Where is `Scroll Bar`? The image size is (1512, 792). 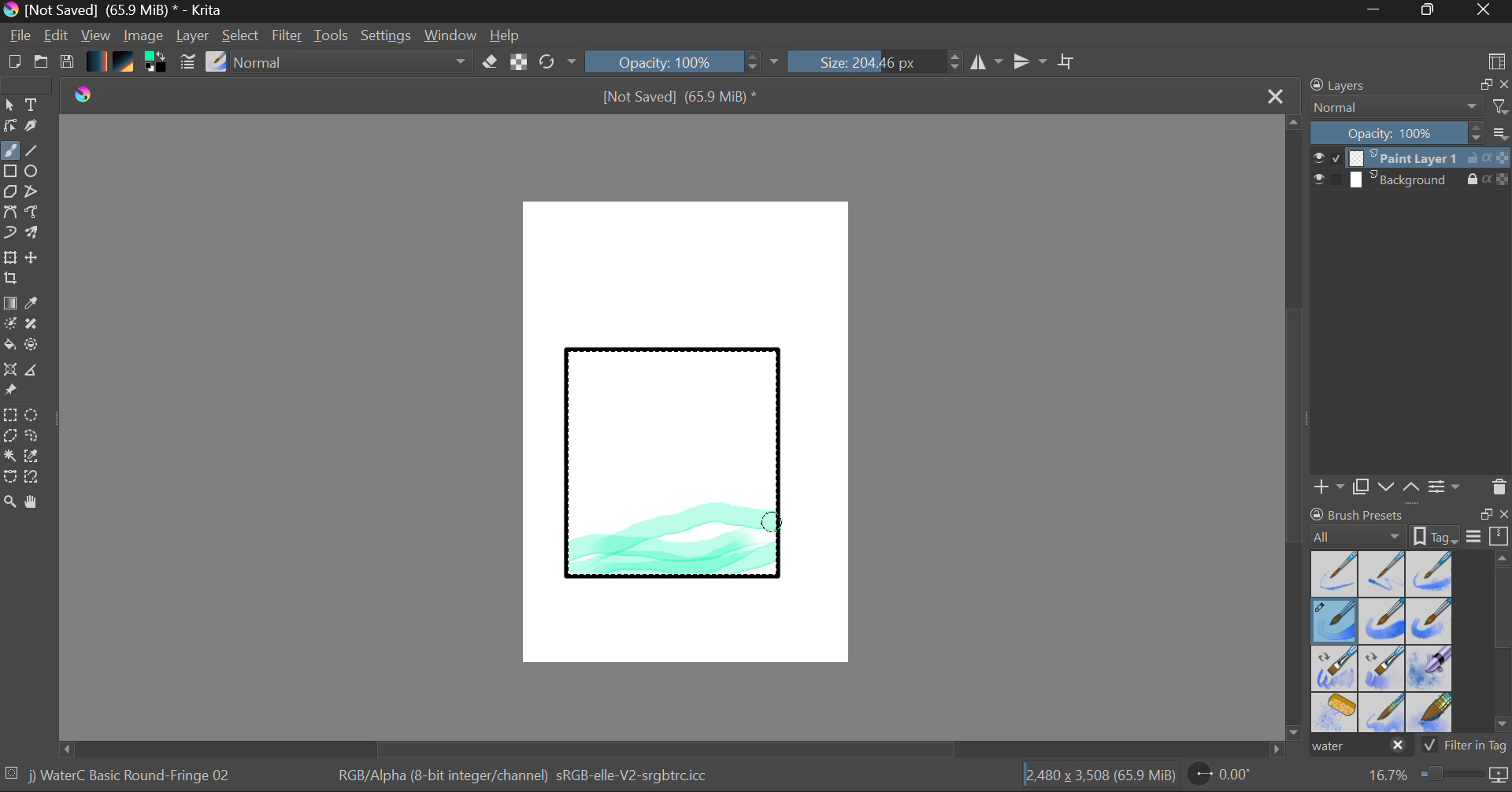 Scroll Bar is located at coordinates (673, 749).